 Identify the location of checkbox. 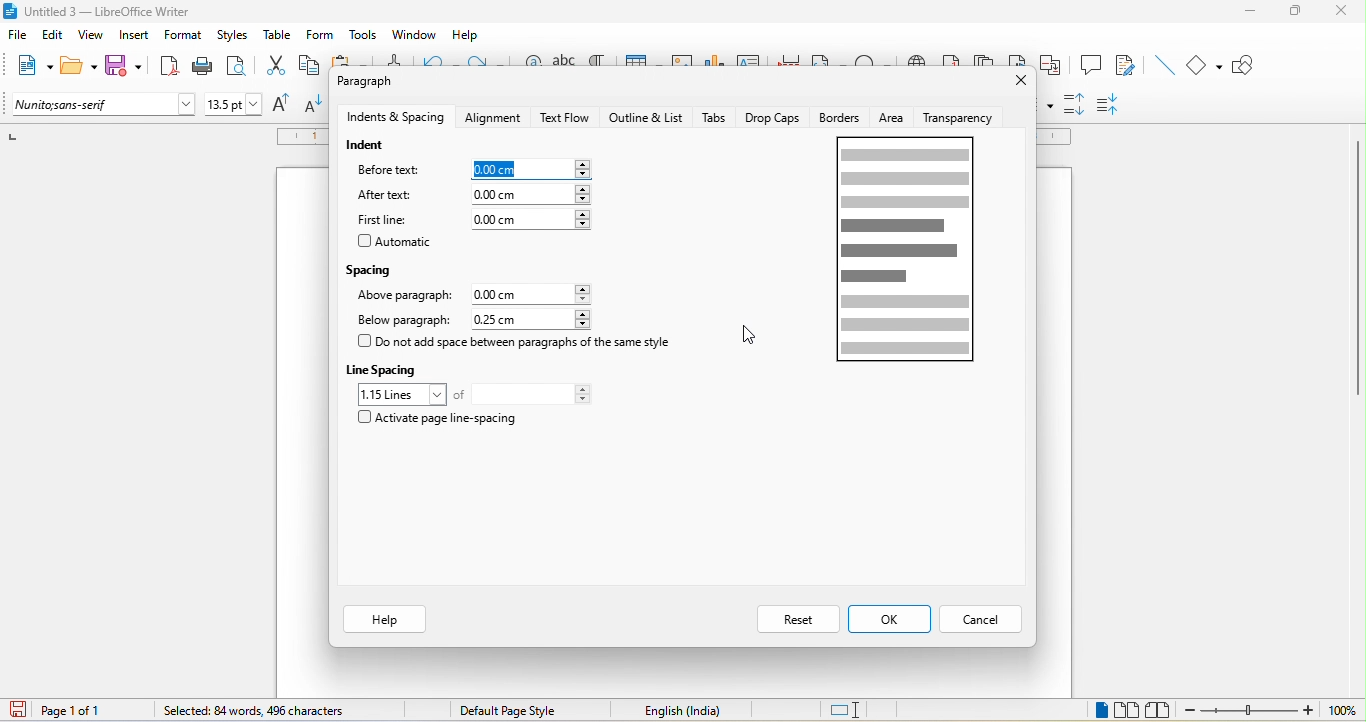
(364, 417).